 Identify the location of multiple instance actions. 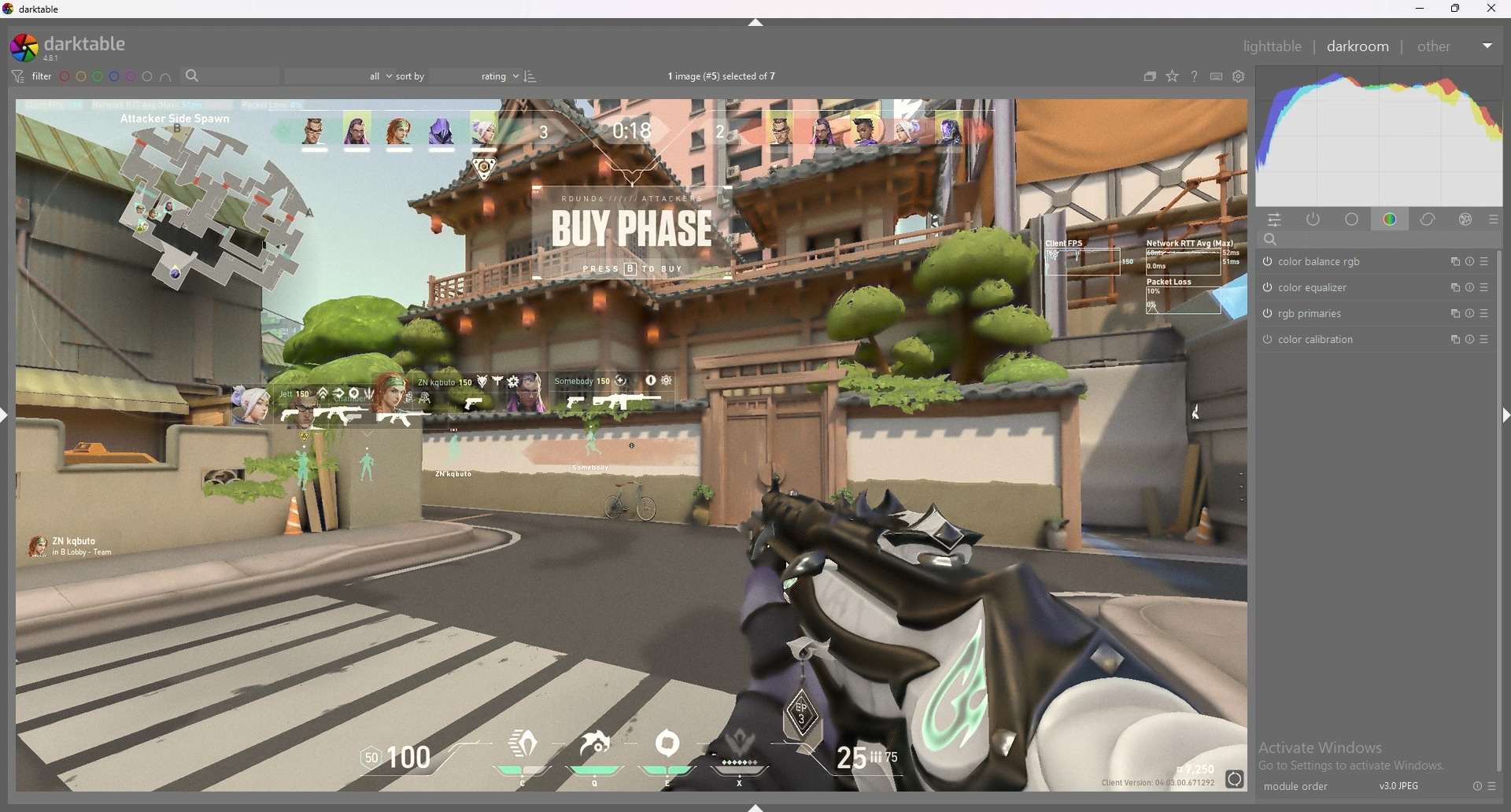
(1450, 287).